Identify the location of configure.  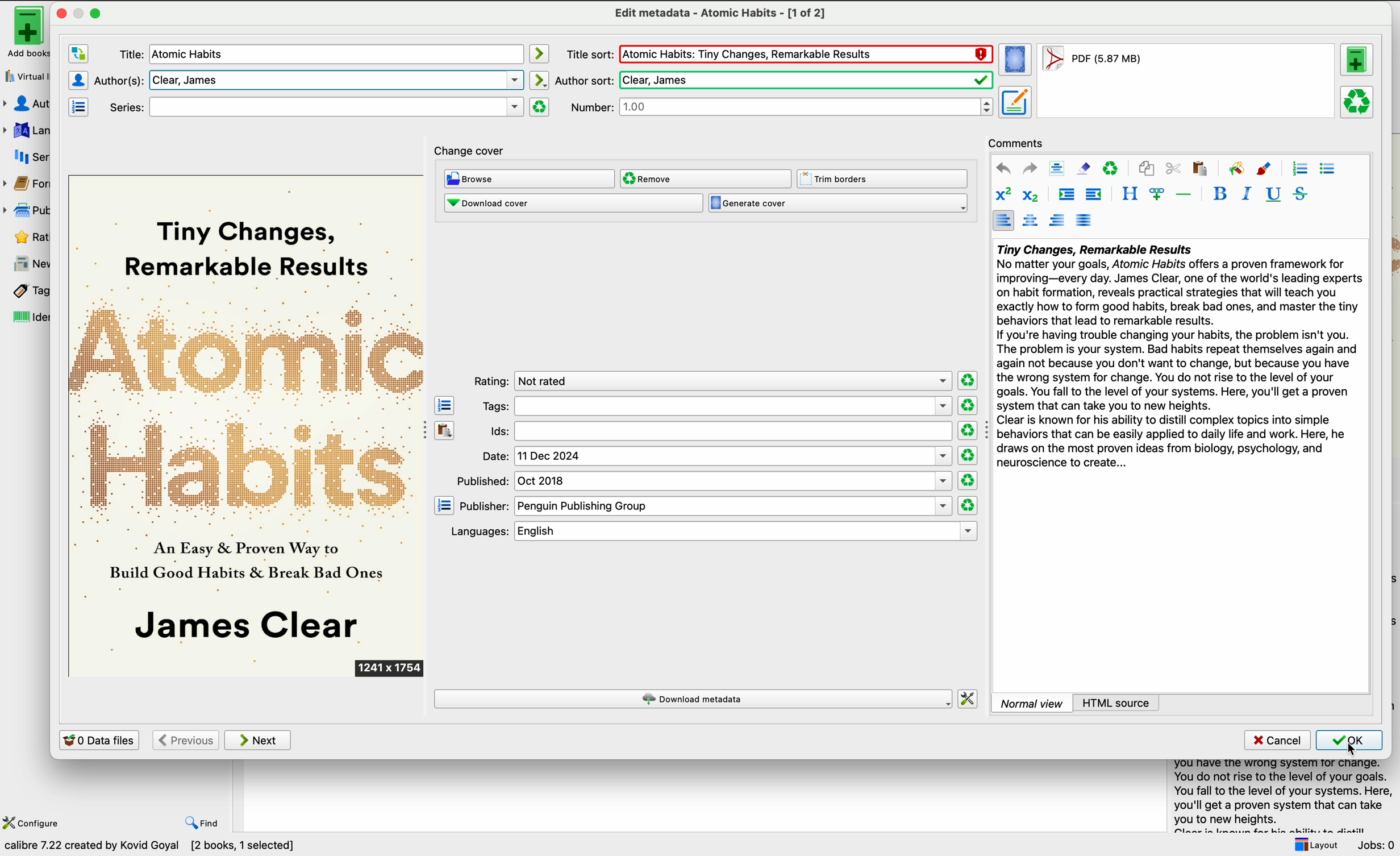
(34, 822).